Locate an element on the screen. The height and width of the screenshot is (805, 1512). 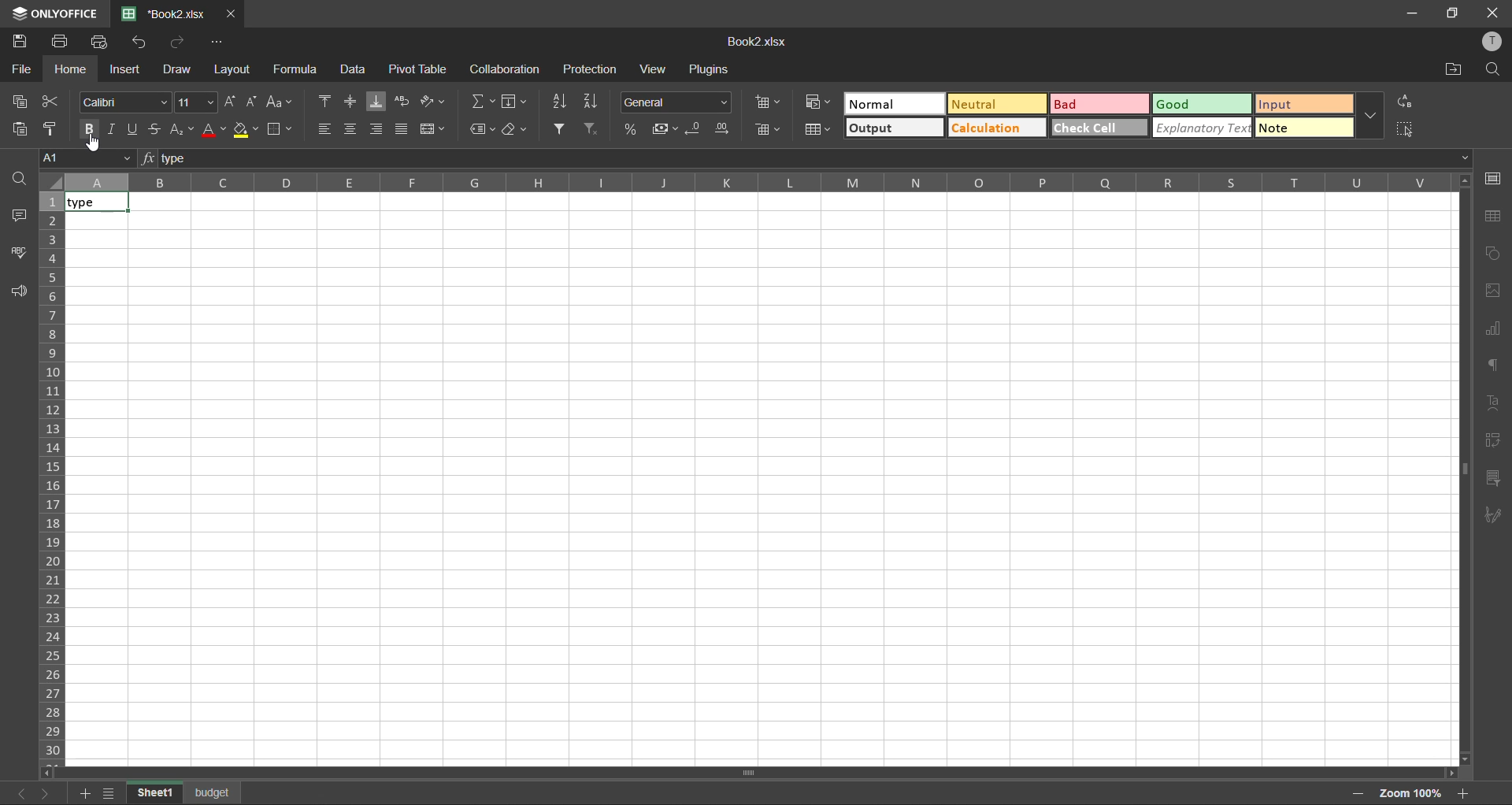
paste is located at coordinates (22, 129).